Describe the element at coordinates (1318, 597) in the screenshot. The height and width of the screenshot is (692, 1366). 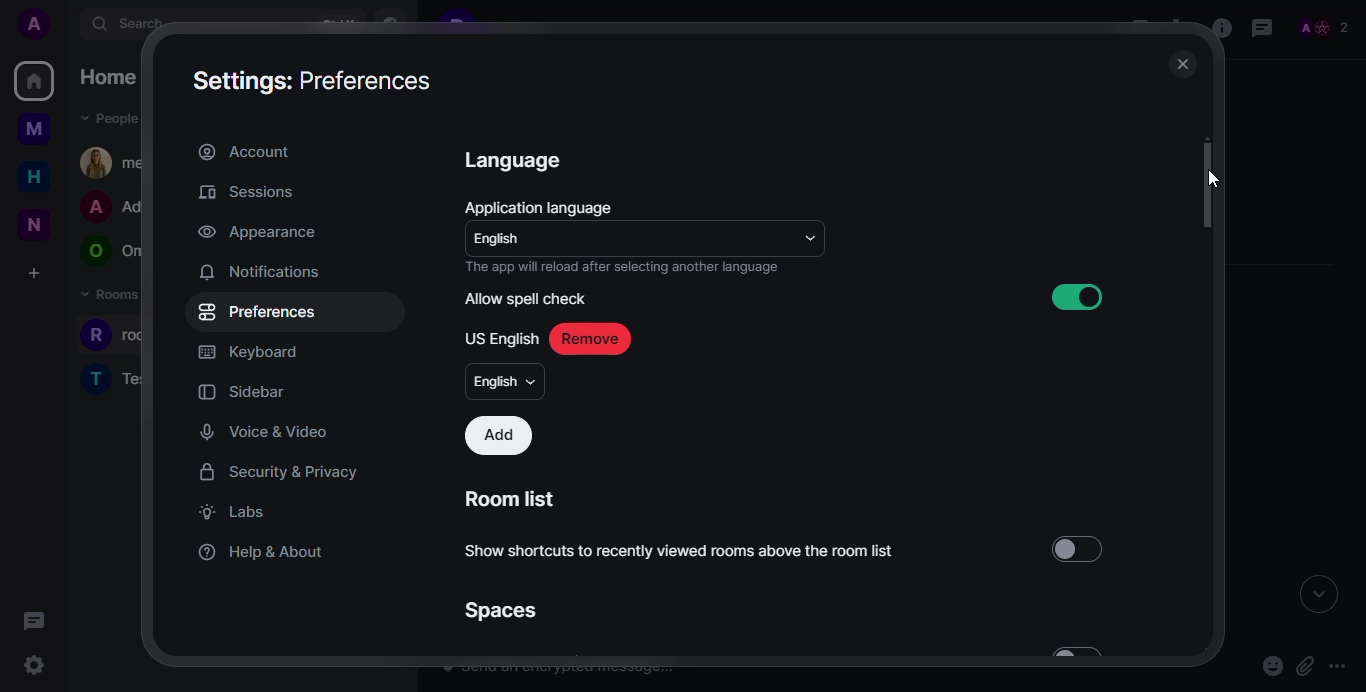
I see `expand` at that location.